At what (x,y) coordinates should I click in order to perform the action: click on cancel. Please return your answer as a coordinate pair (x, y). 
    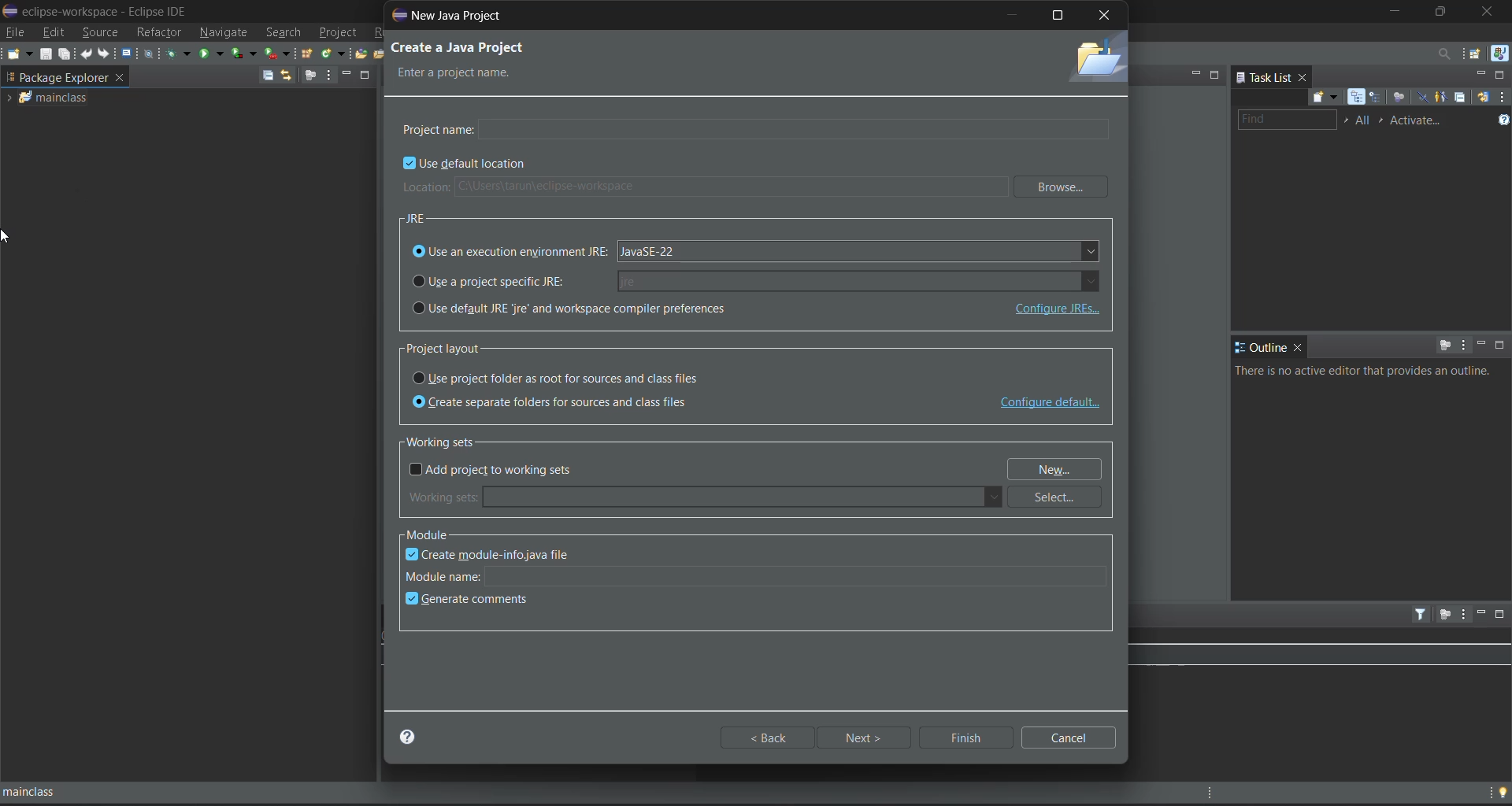
    Looking at the image, I should click on (1073, 737).